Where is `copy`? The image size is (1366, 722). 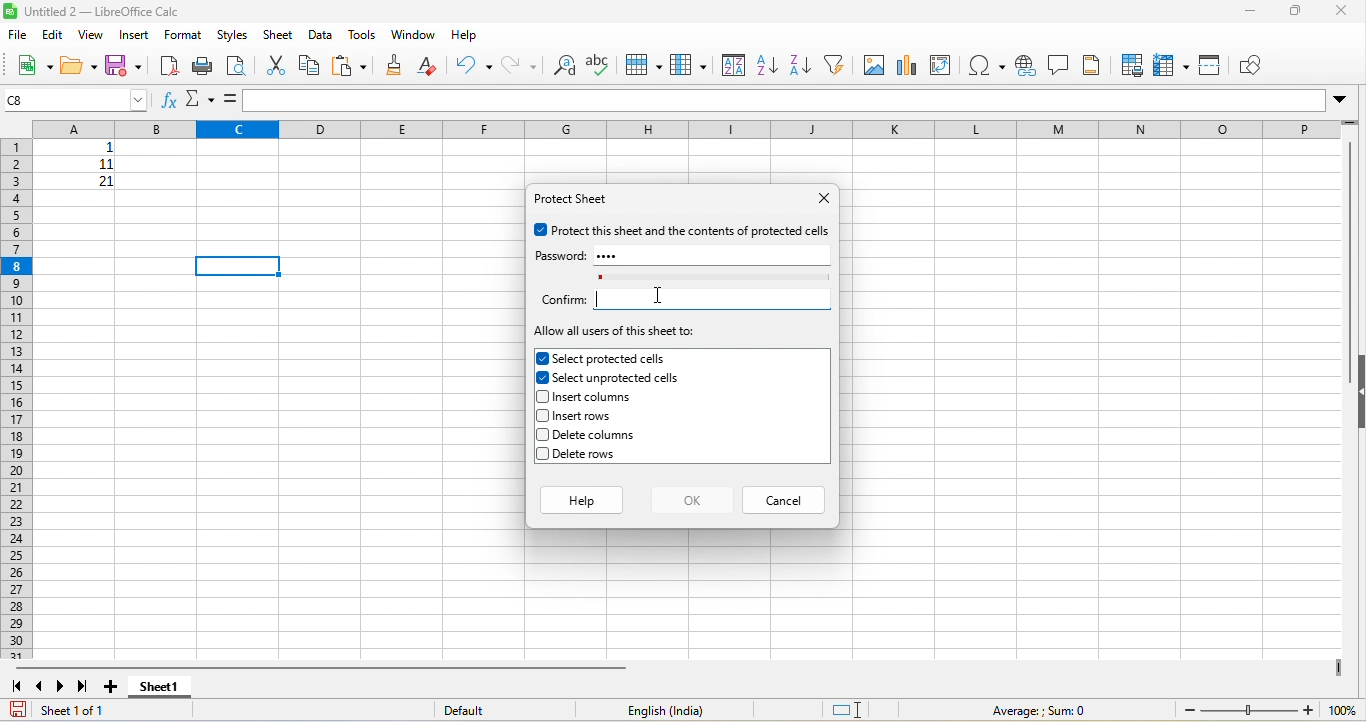 copy is located at coordinates (310, 67).